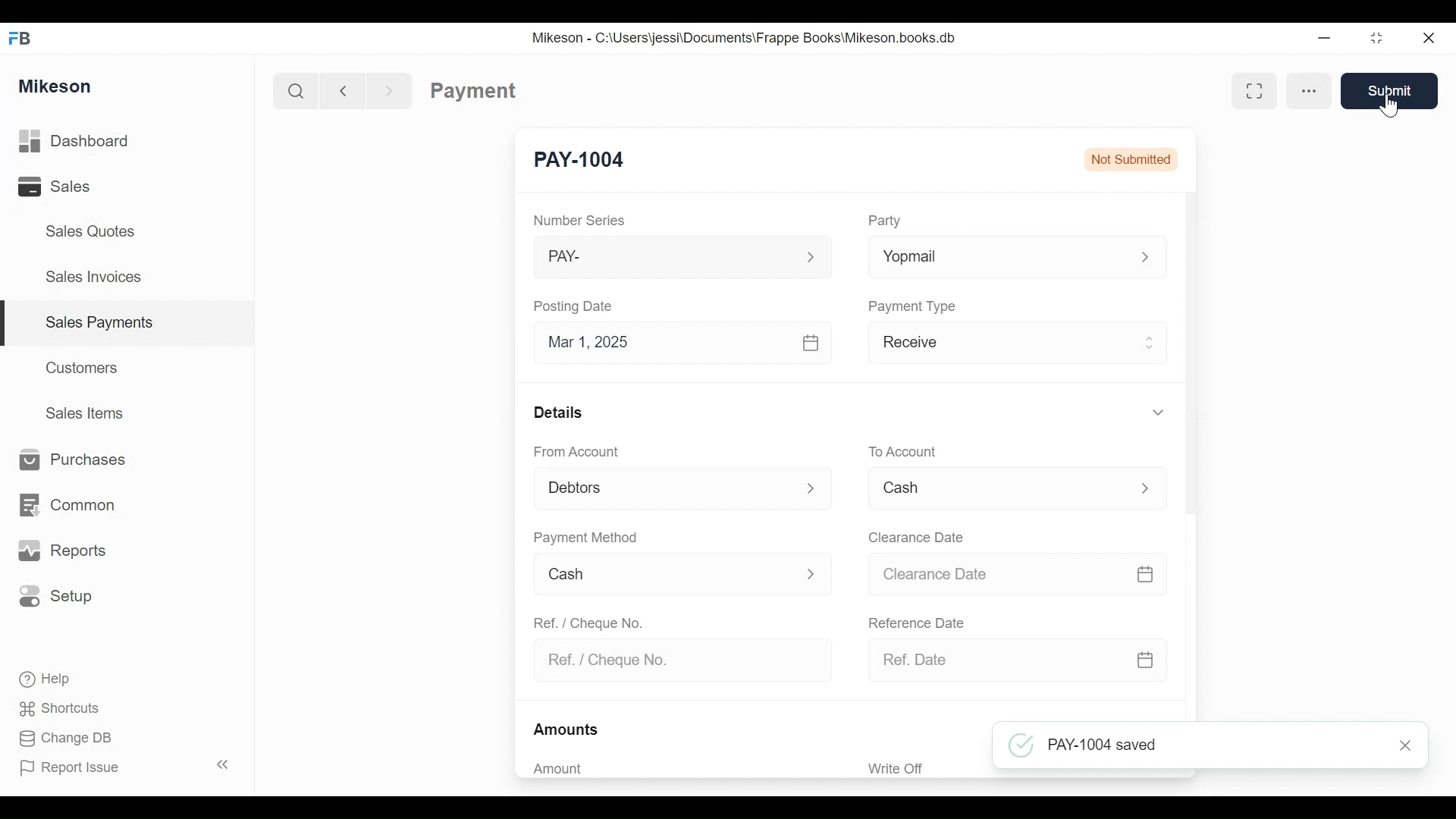  I want to click on Sales, so click(53, 188).